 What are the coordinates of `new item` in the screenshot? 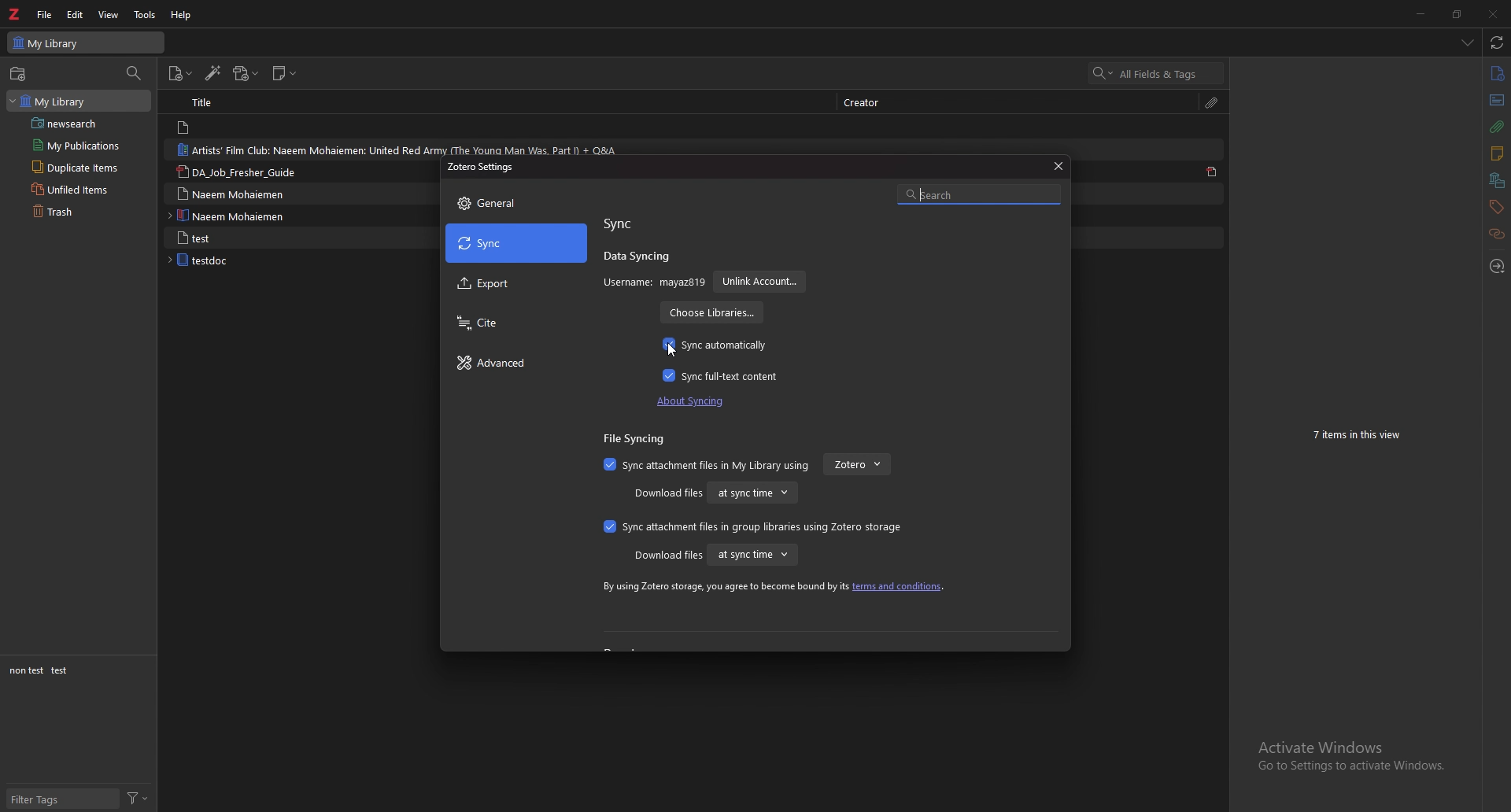 It's located at (181, 73).